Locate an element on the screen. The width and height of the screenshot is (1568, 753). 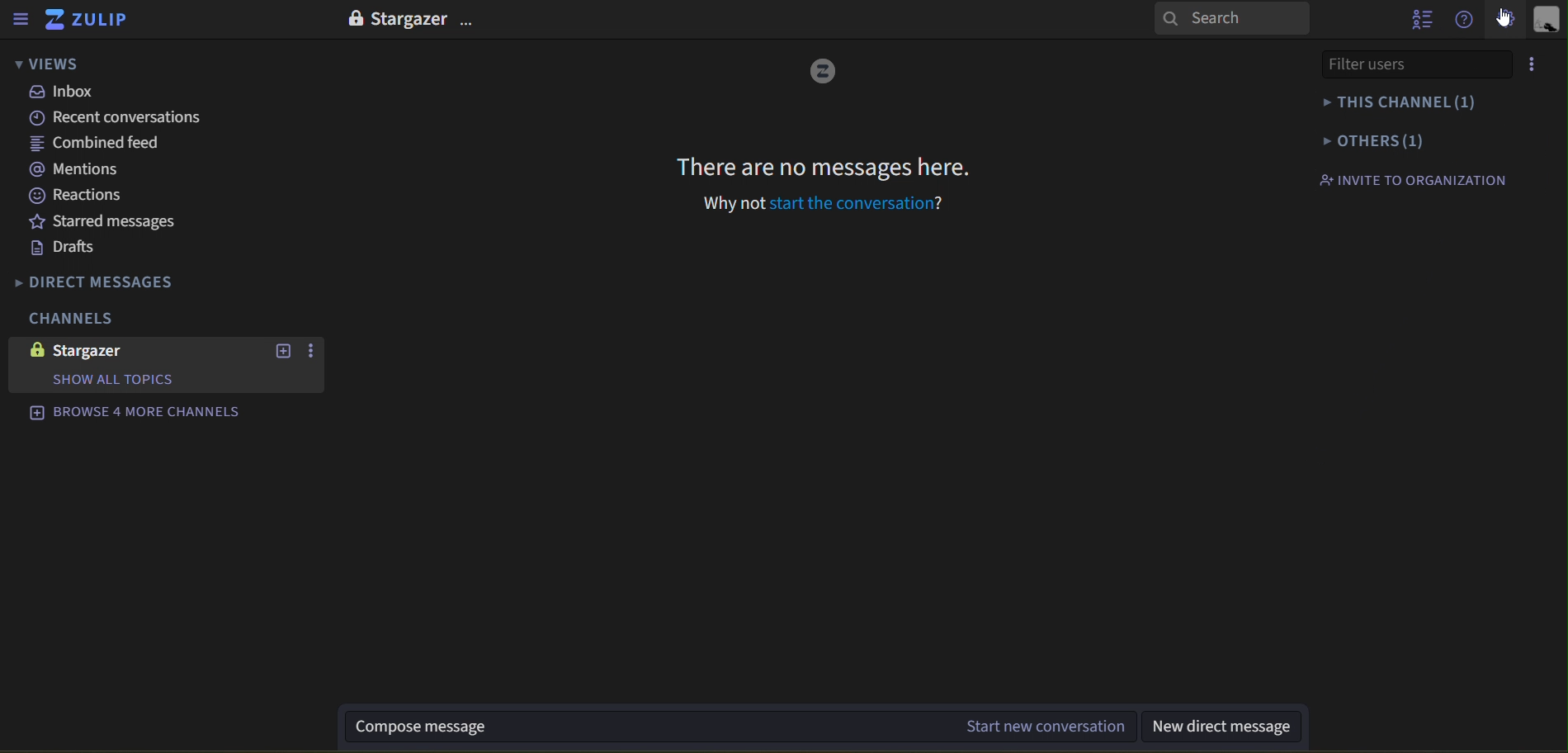
get help is located at coordinates (1465, 19).